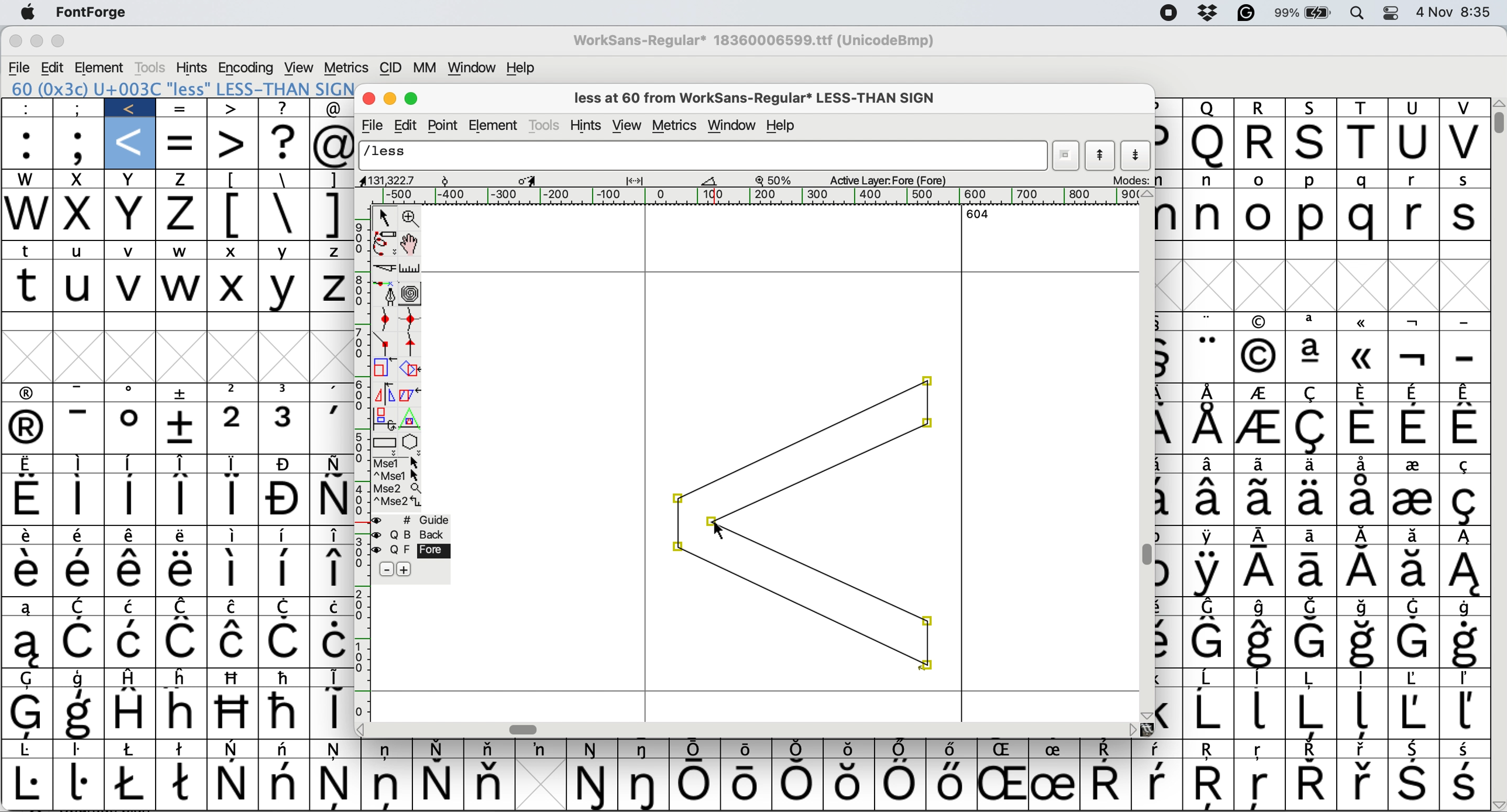  Describe the element at coordinates (335, 108) in the screenshot. I see `@` at that location.